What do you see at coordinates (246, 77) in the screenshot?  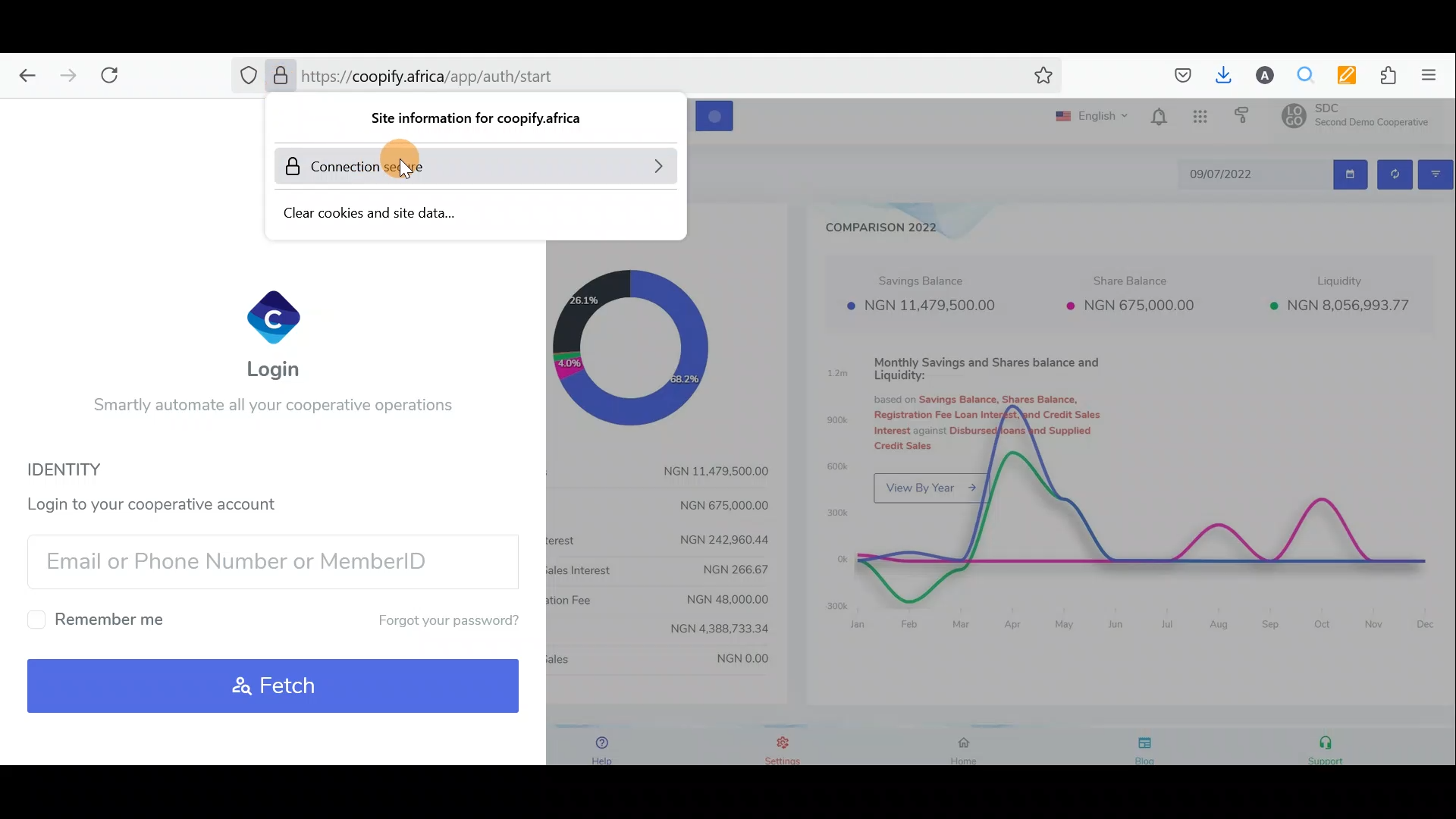 I see `No trackers detected` at bounding box center [246, 77].